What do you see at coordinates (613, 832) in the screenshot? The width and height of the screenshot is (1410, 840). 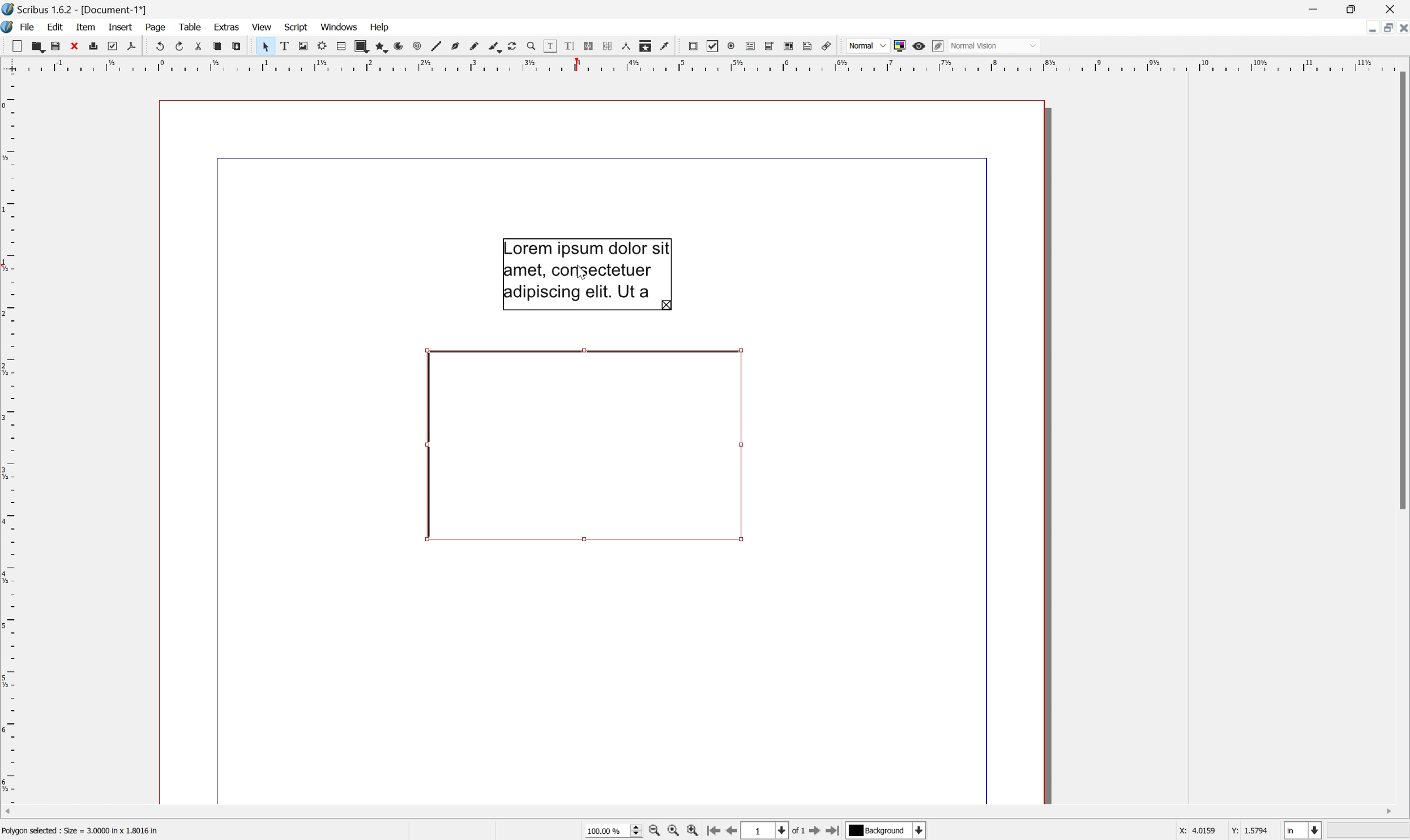 I see `Current zoom level` at bounding box center [613, 832].